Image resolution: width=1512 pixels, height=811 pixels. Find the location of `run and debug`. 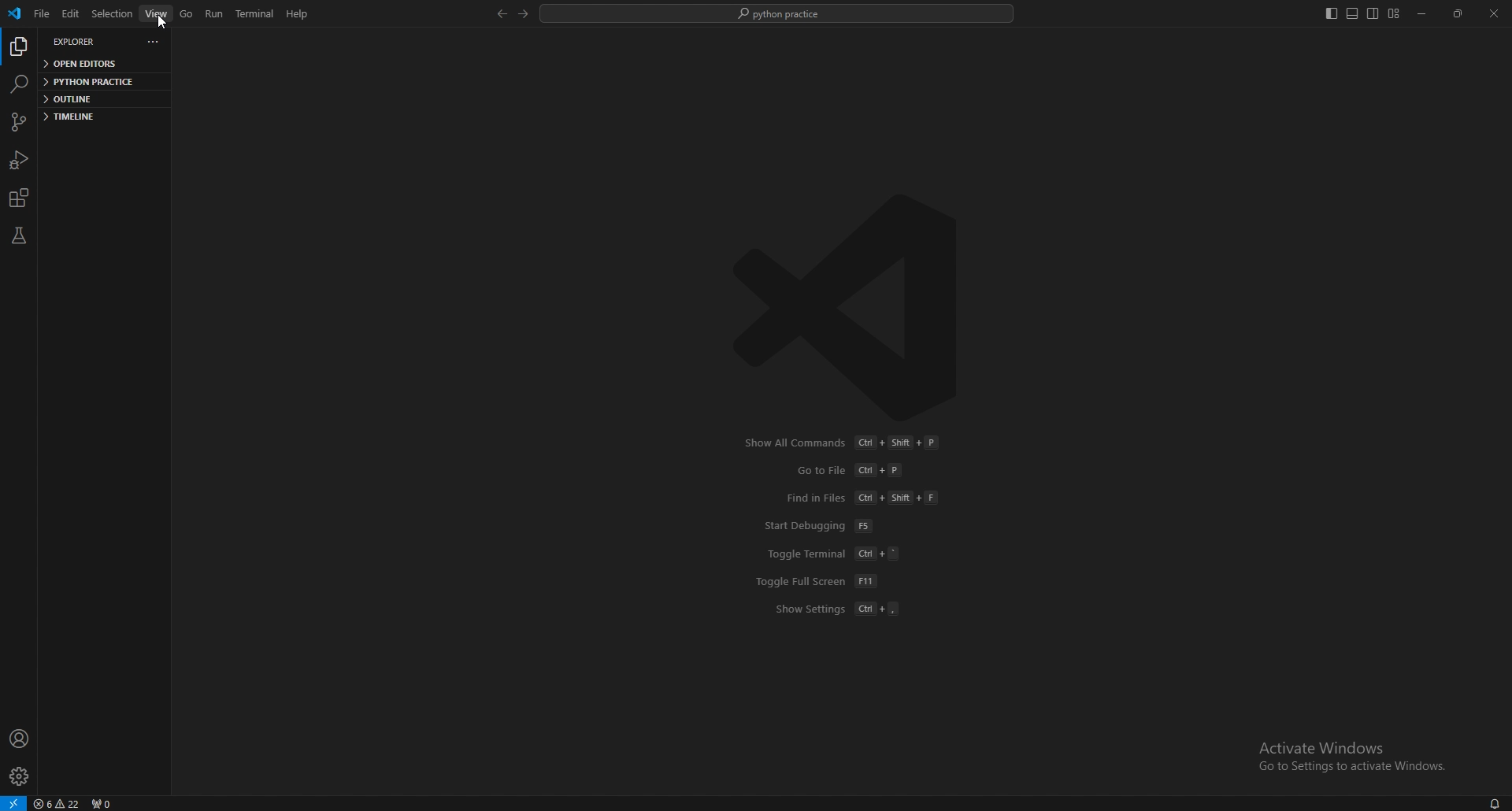

run and debug is located at coordinates (18, 161).